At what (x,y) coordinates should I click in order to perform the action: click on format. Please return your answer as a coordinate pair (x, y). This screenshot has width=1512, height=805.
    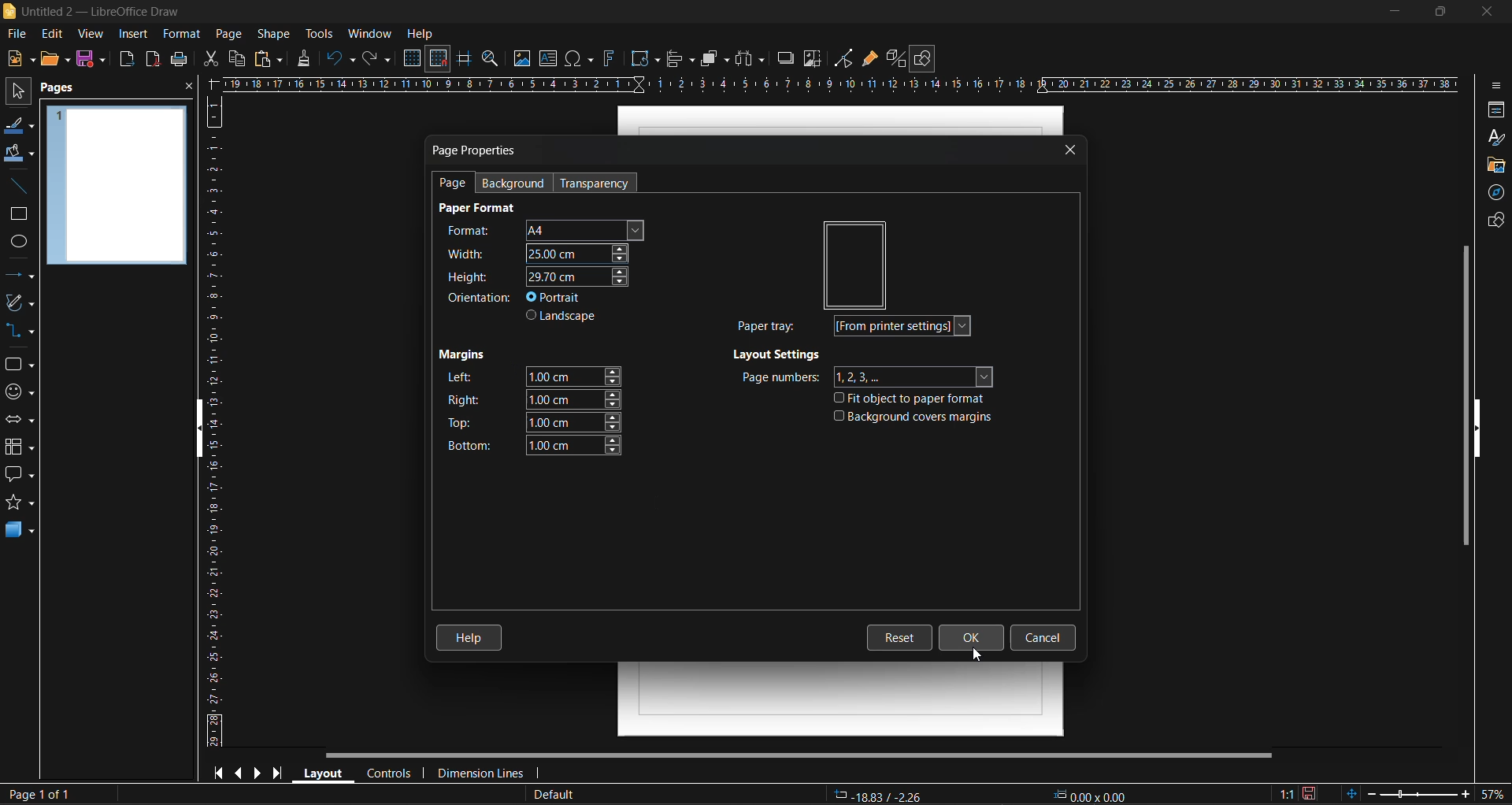
    Looking at the image, I should click on (180, 33).